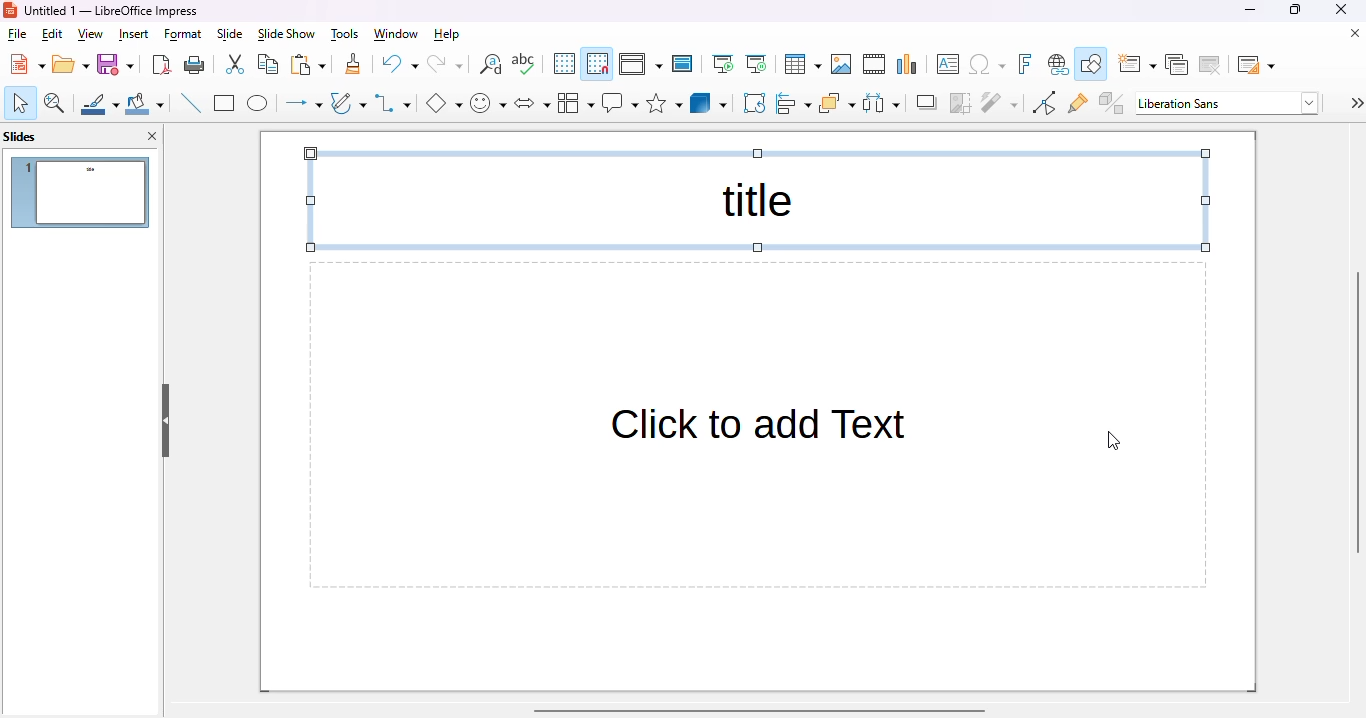  Describe the element at coordinates (353, 64) in the screenshot. I see `clone formatting` at that location.